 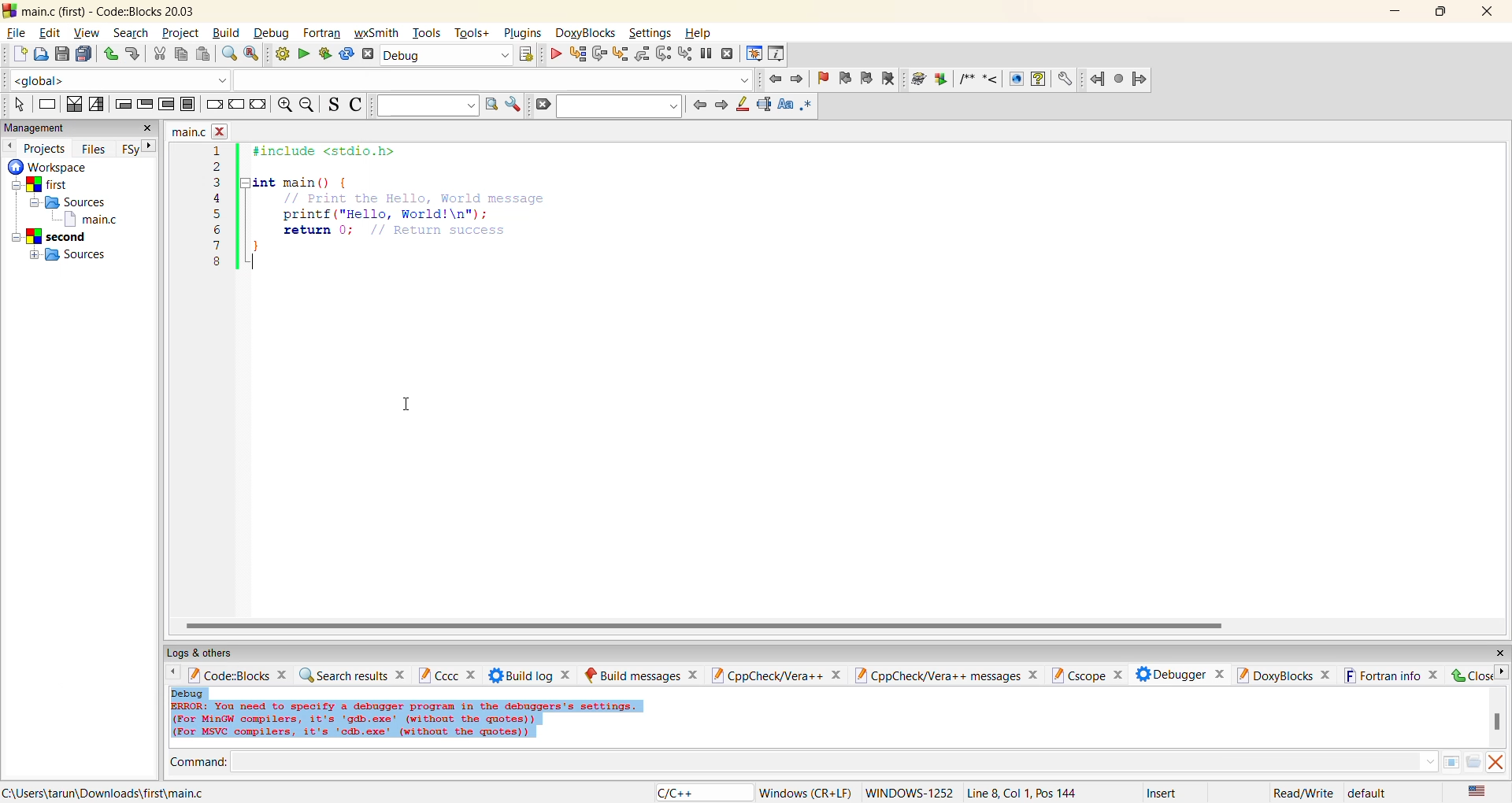 I want to click on toggle source, so click(x=335, y=105).